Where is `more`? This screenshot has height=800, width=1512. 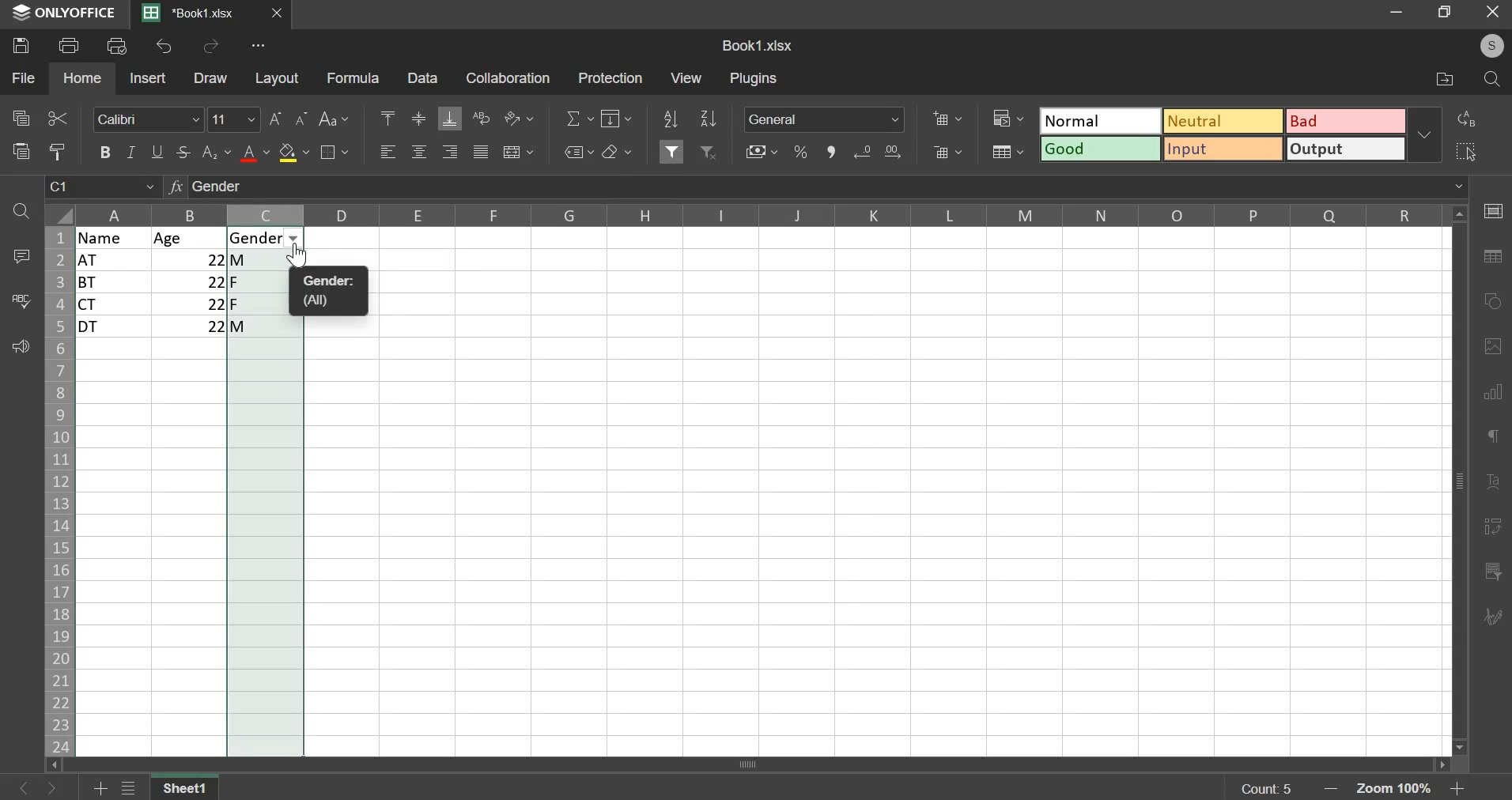
more is located at coordinates (254, 48).